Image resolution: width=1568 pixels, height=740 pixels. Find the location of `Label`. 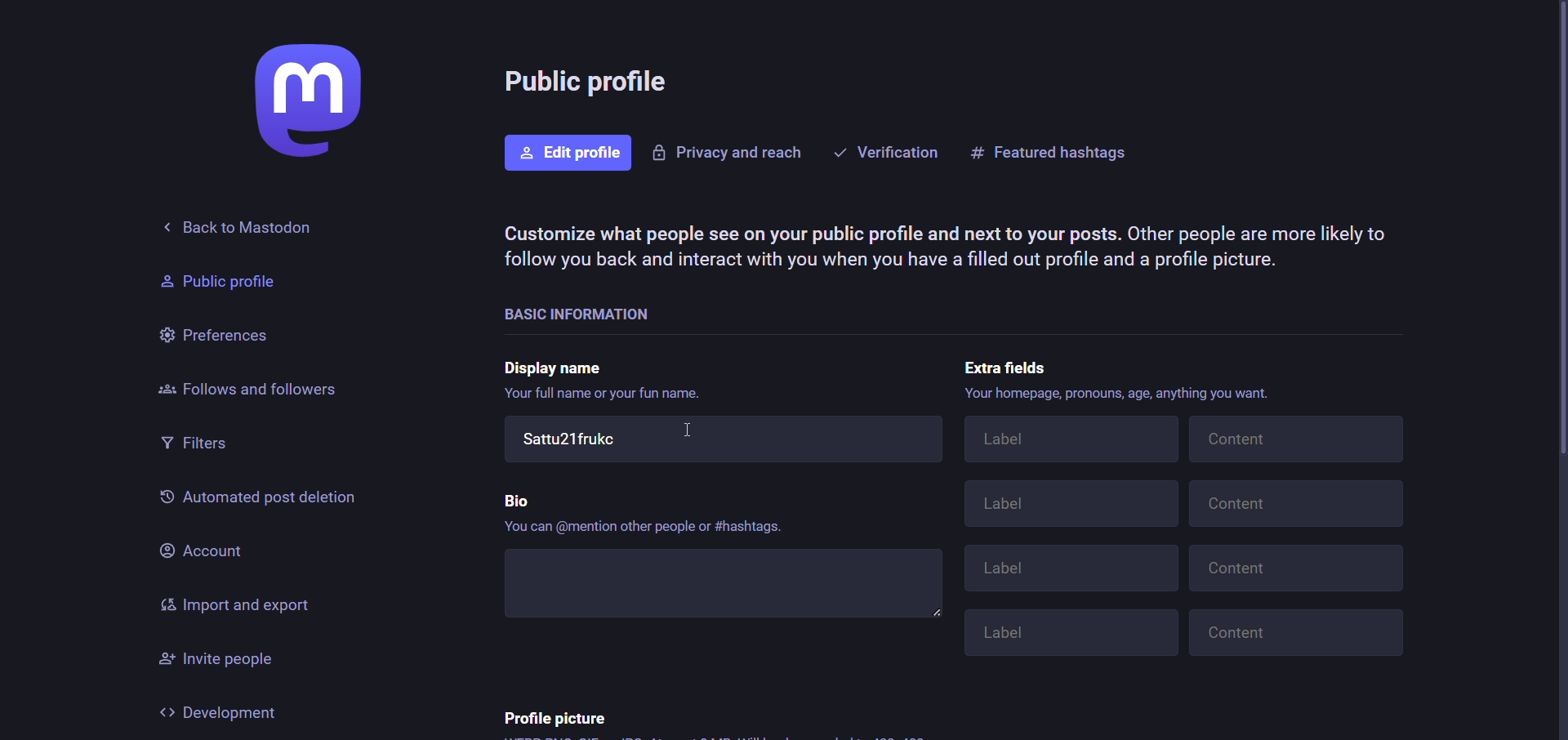

Label is located at coordinates (1076, 570).